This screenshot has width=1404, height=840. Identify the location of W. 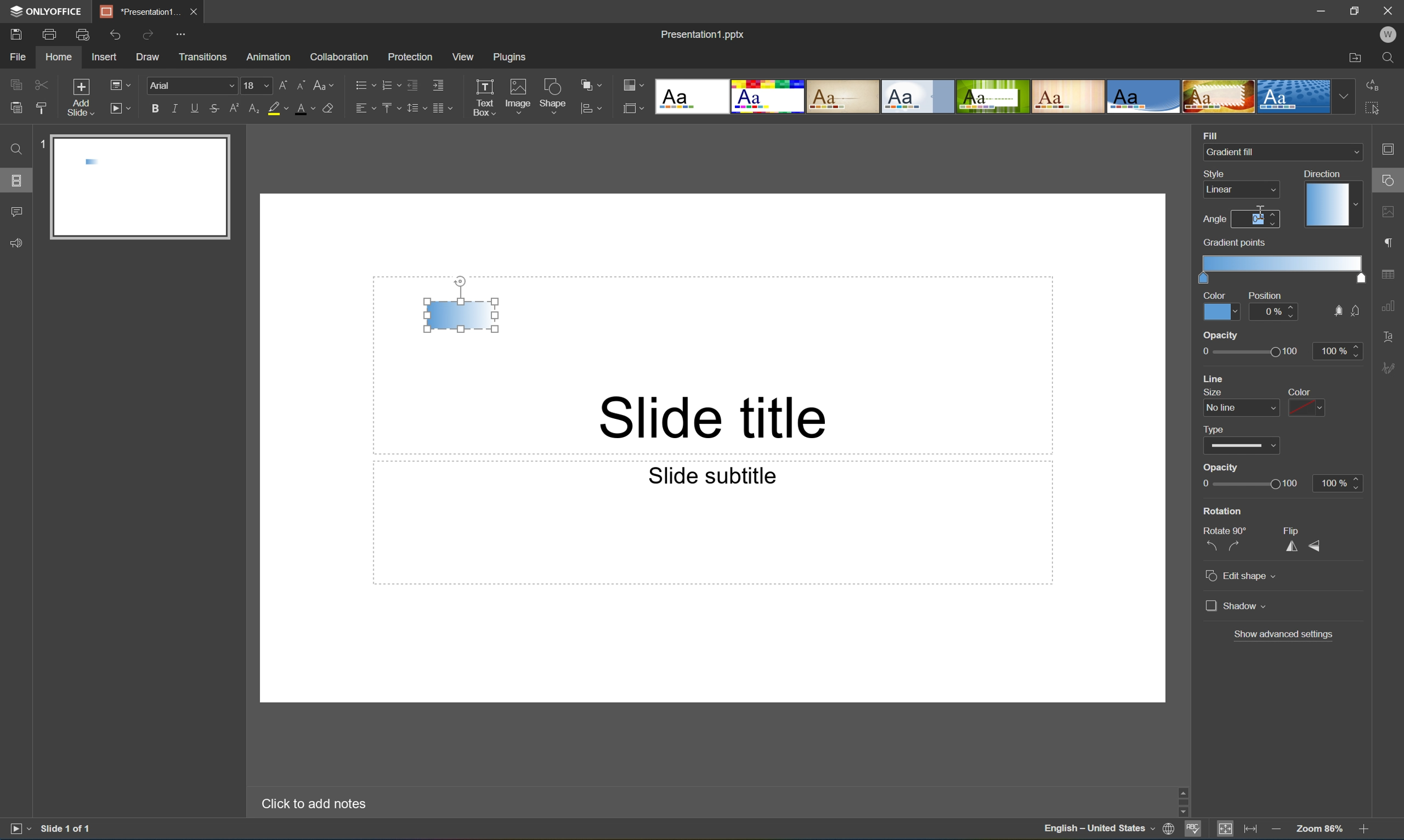
(1390, 35).